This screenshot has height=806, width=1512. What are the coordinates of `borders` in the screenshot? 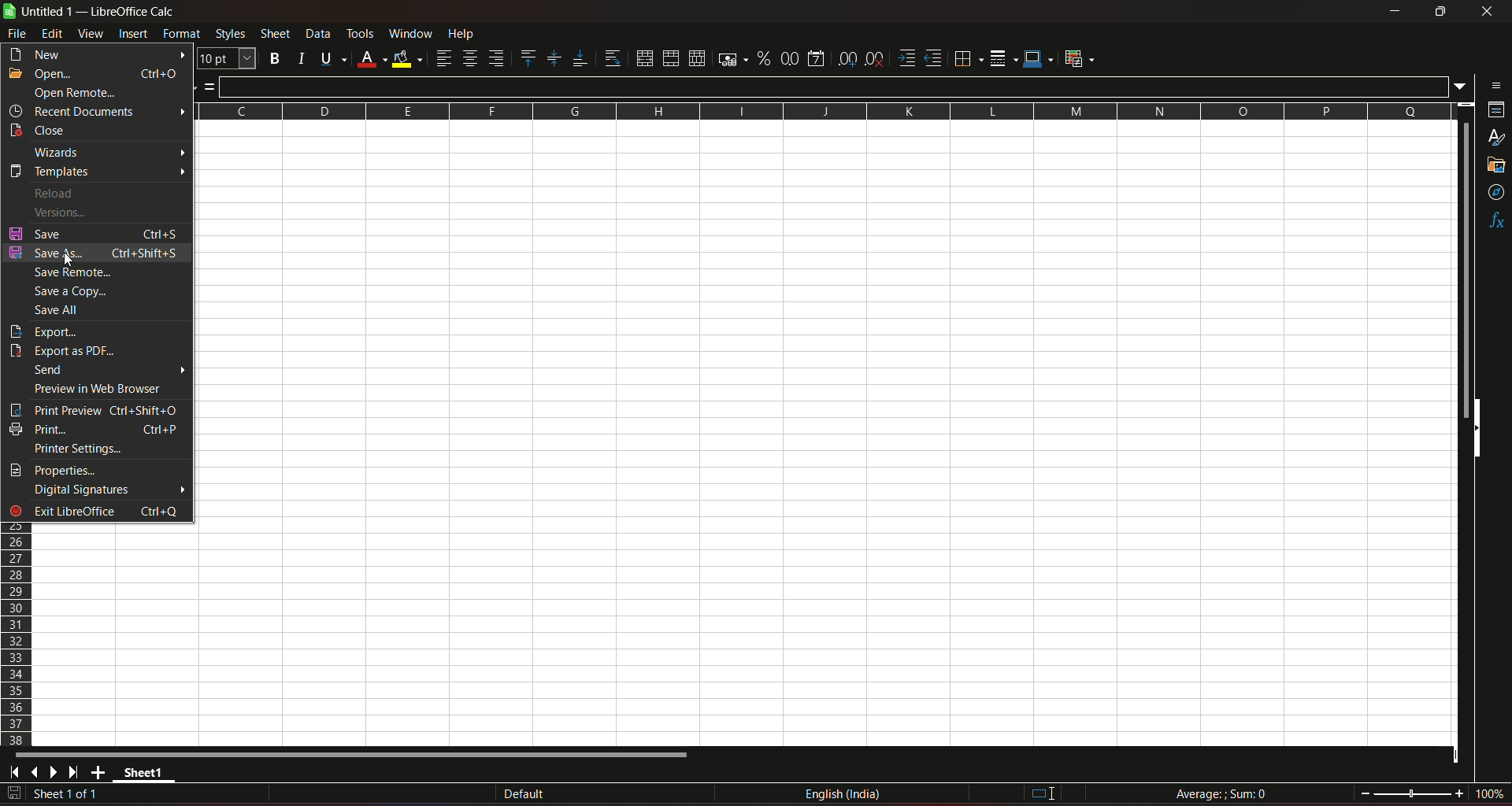 It's located at (968, 59).